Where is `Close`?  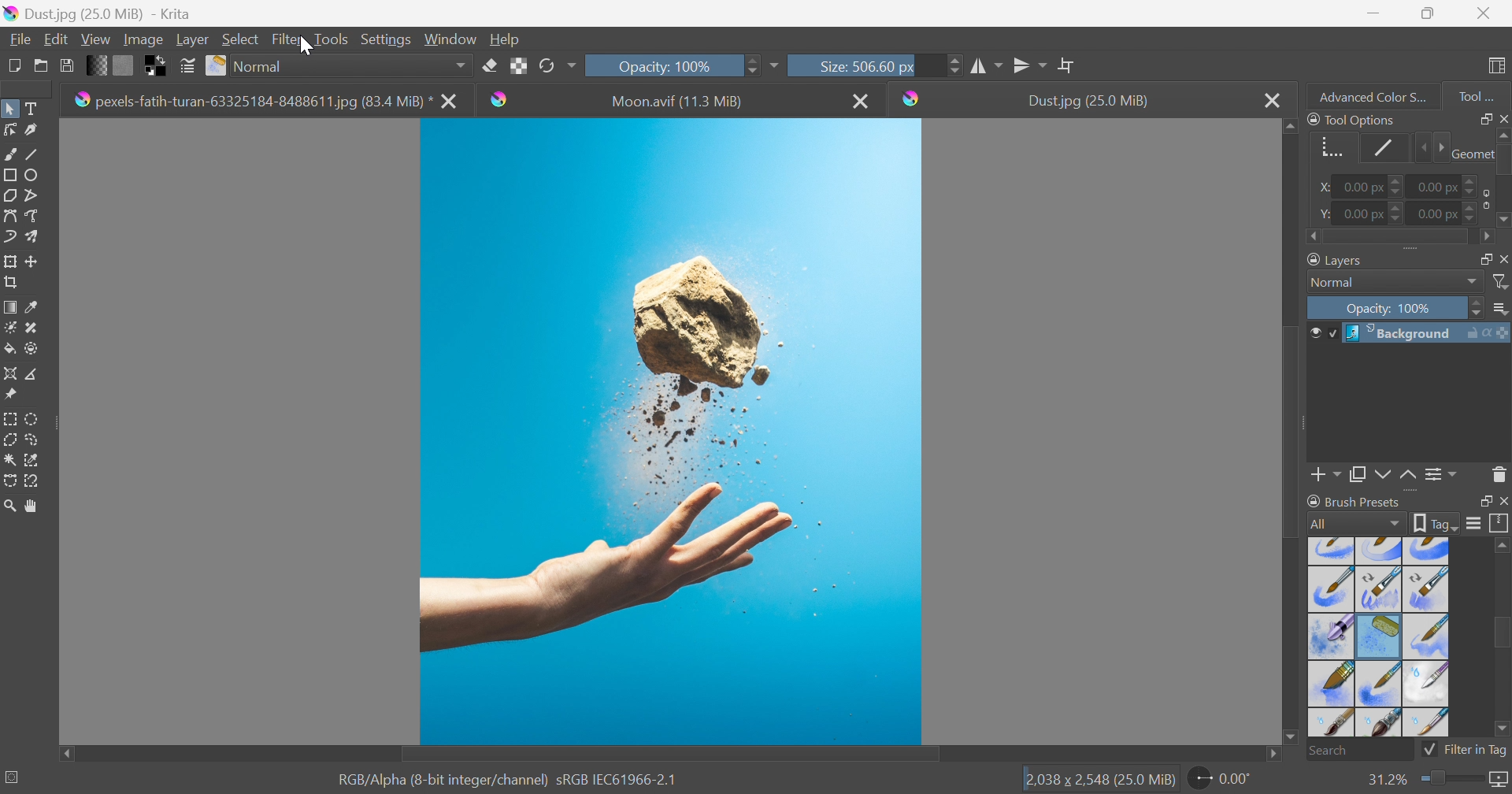
Close is located at coordinates (1503, 502).